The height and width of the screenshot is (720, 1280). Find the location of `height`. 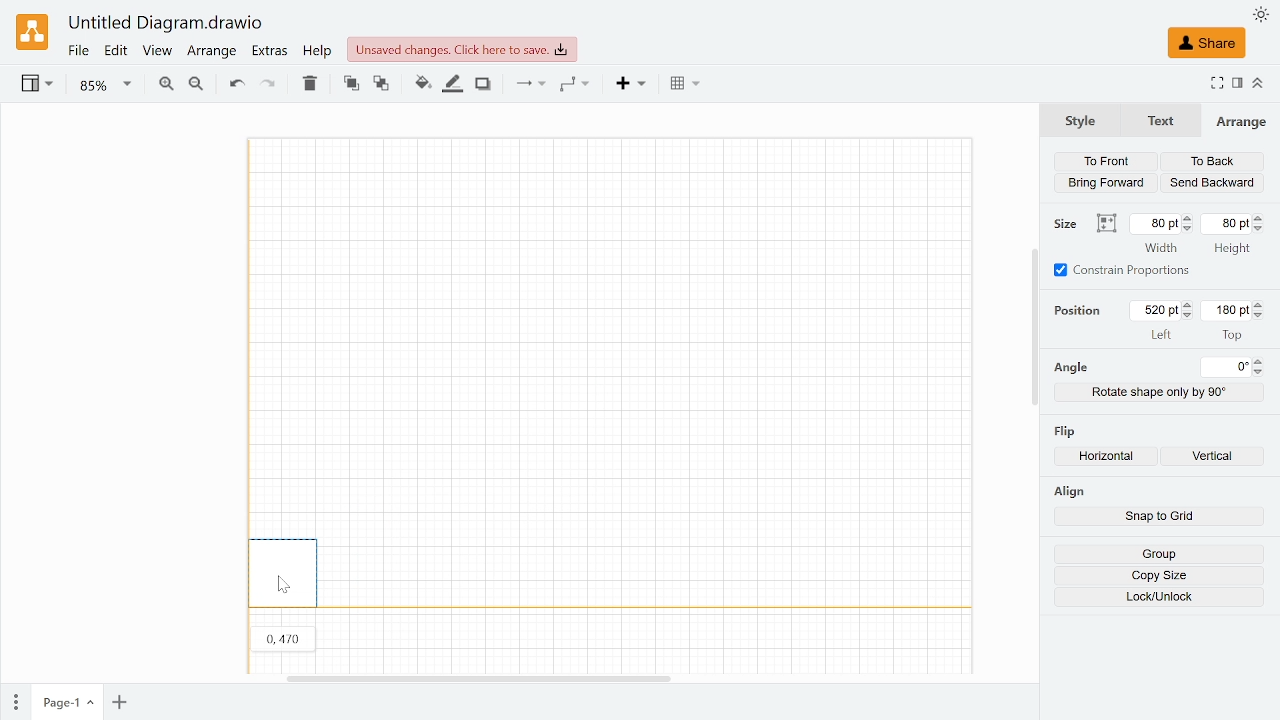

height is located at coordinates (1231, 250).